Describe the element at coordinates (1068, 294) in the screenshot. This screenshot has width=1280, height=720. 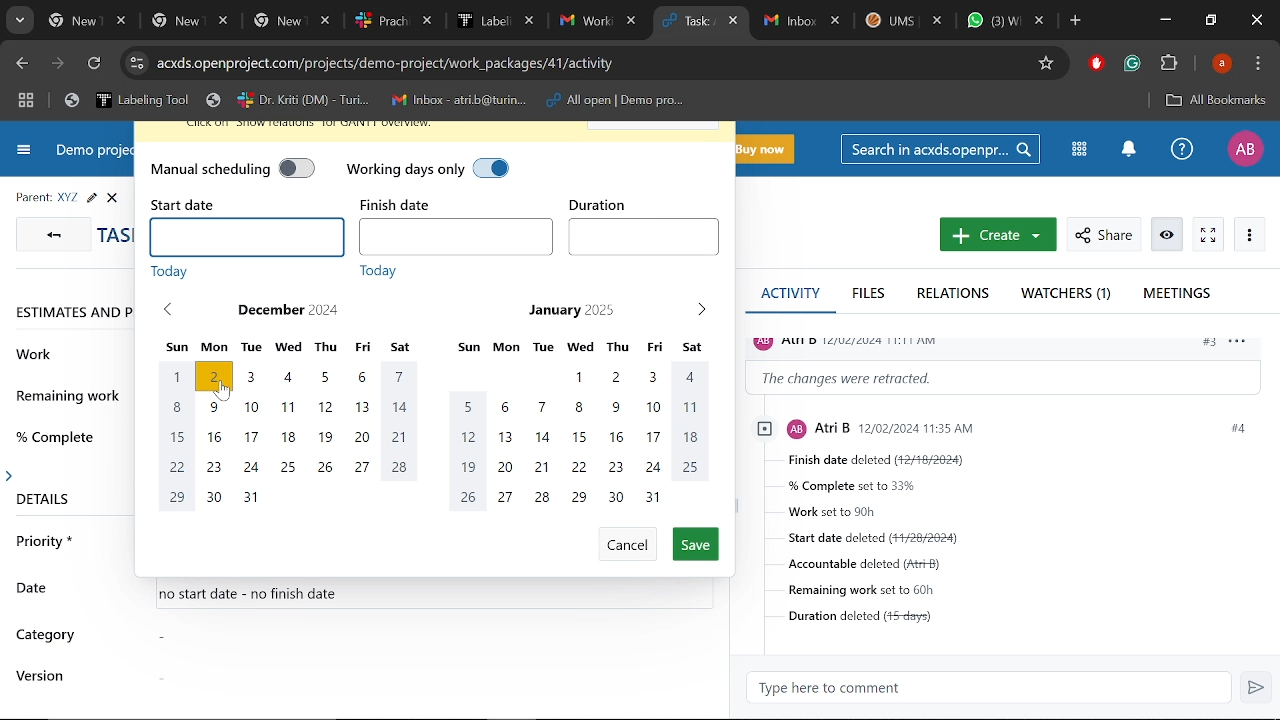
I see `Watchers` at that location.